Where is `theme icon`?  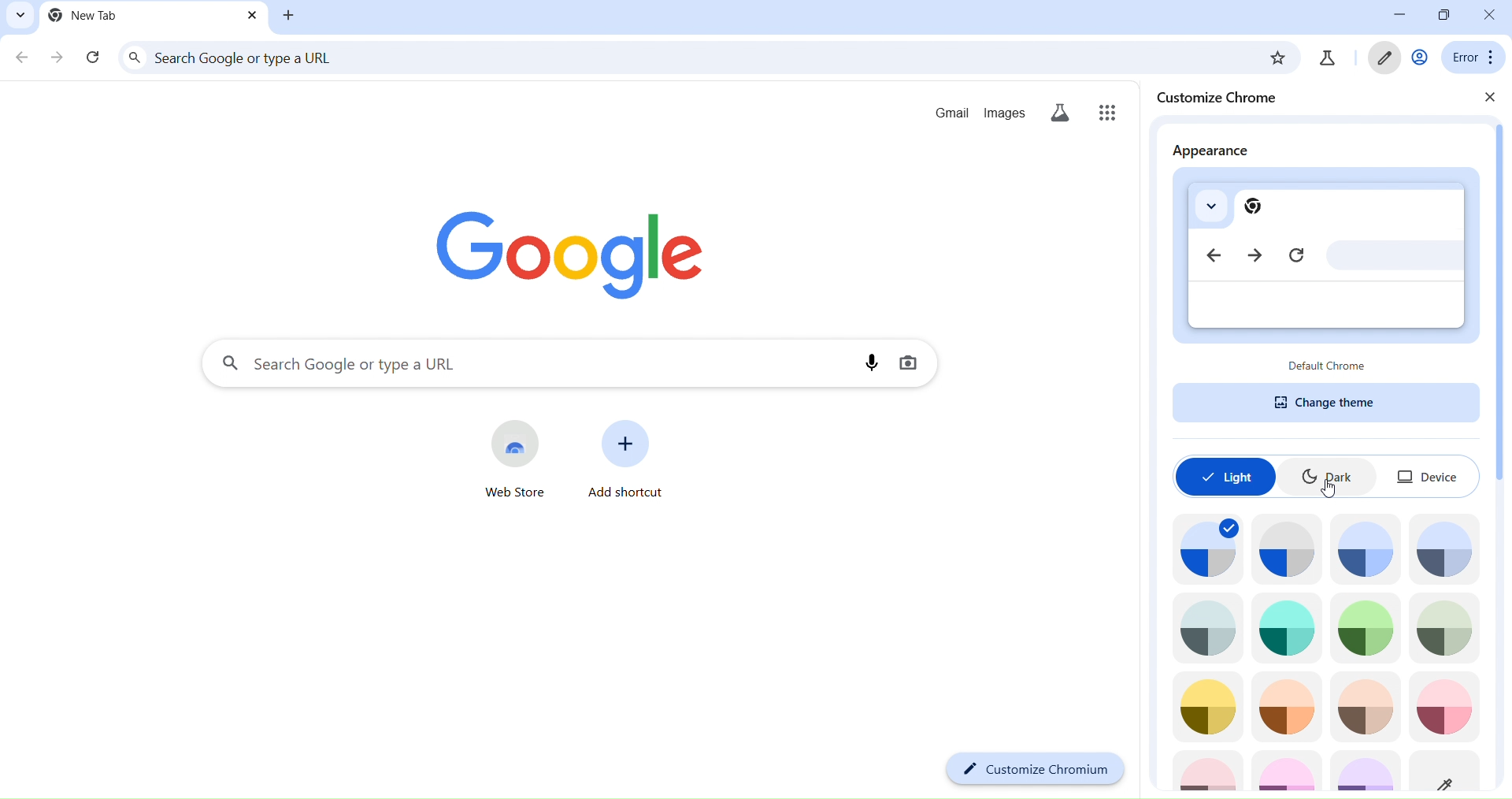
theme icon is located at coordinates (1208, 773).